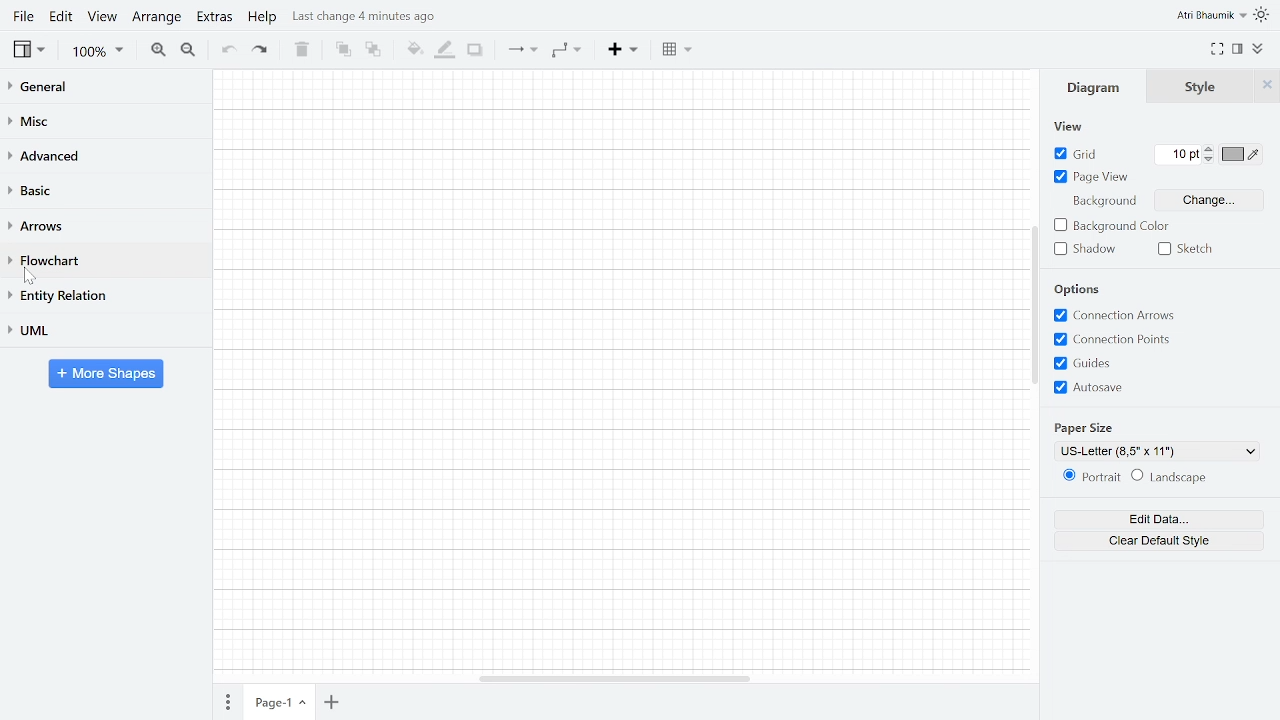 This screenshot has width=1280, height=720. I want to click on vertical scrollbar, so click(1035, 327).